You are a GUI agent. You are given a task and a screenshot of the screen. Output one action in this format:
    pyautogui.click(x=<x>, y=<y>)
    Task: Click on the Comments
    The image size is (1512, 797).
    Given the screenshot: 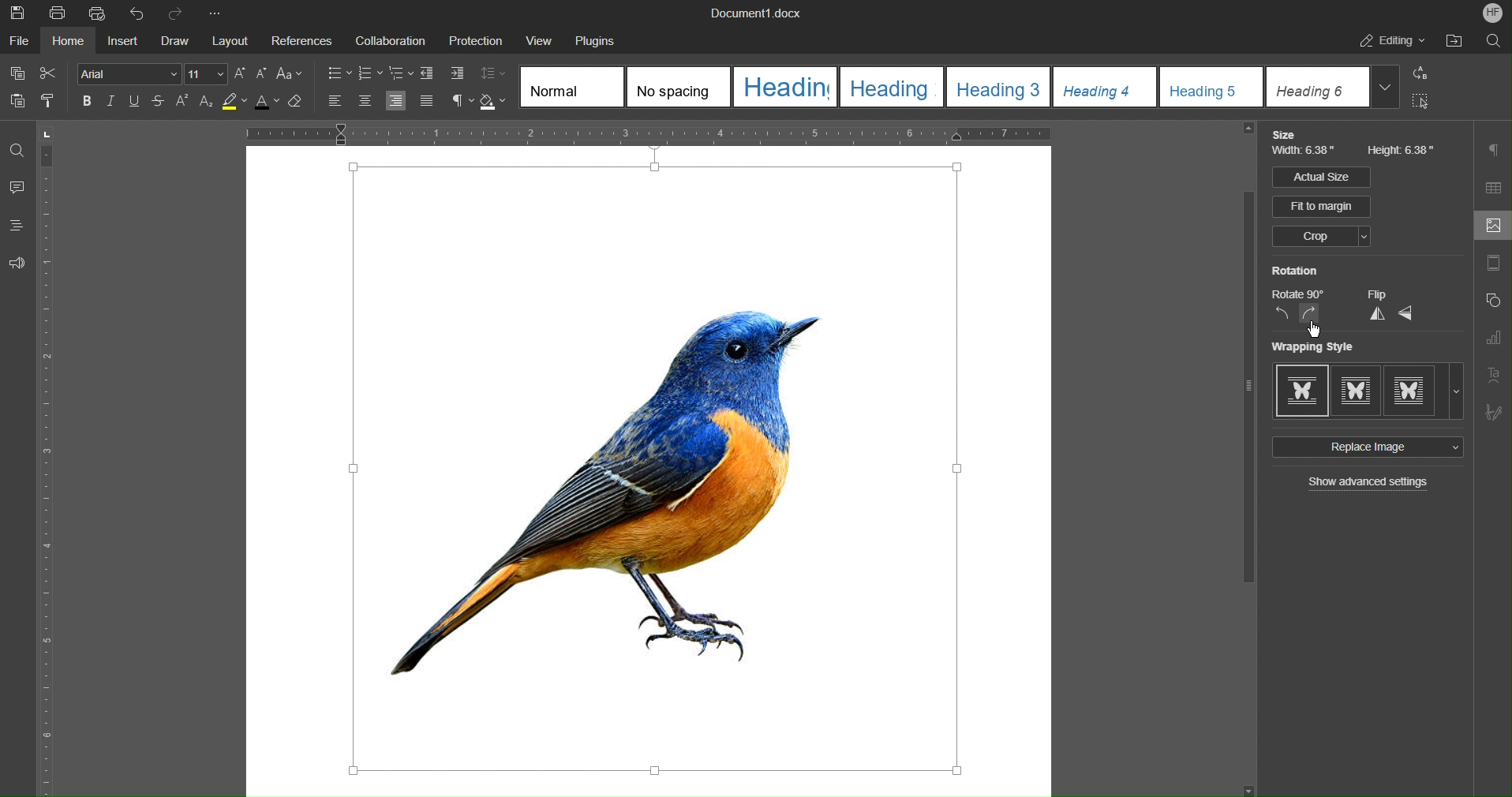 What is the action you would take?
    pyautogui.click(x=17, y=189)
    